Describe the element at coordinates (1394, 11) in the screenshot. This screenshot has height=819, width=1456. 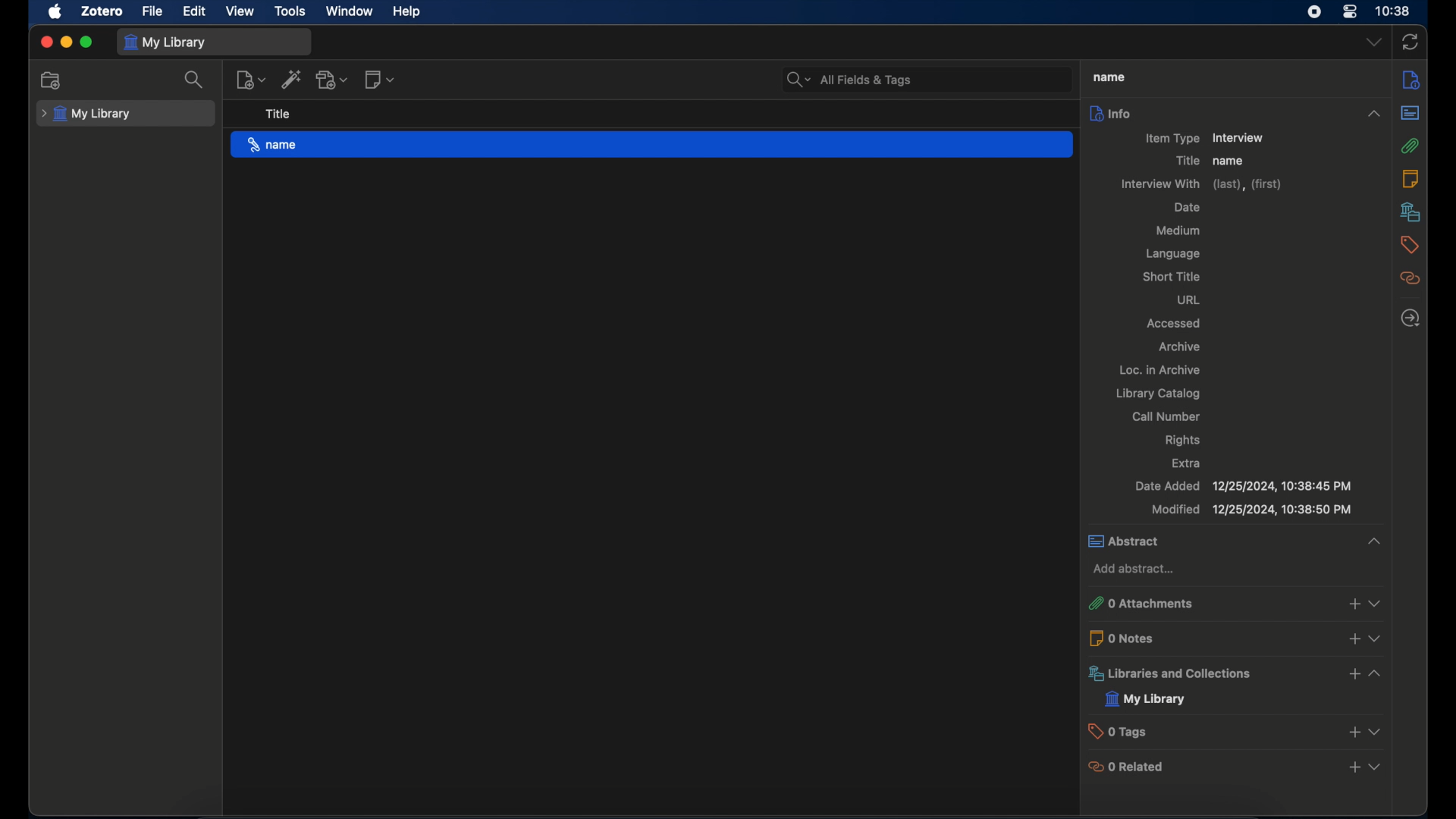
I see `time` at that location.